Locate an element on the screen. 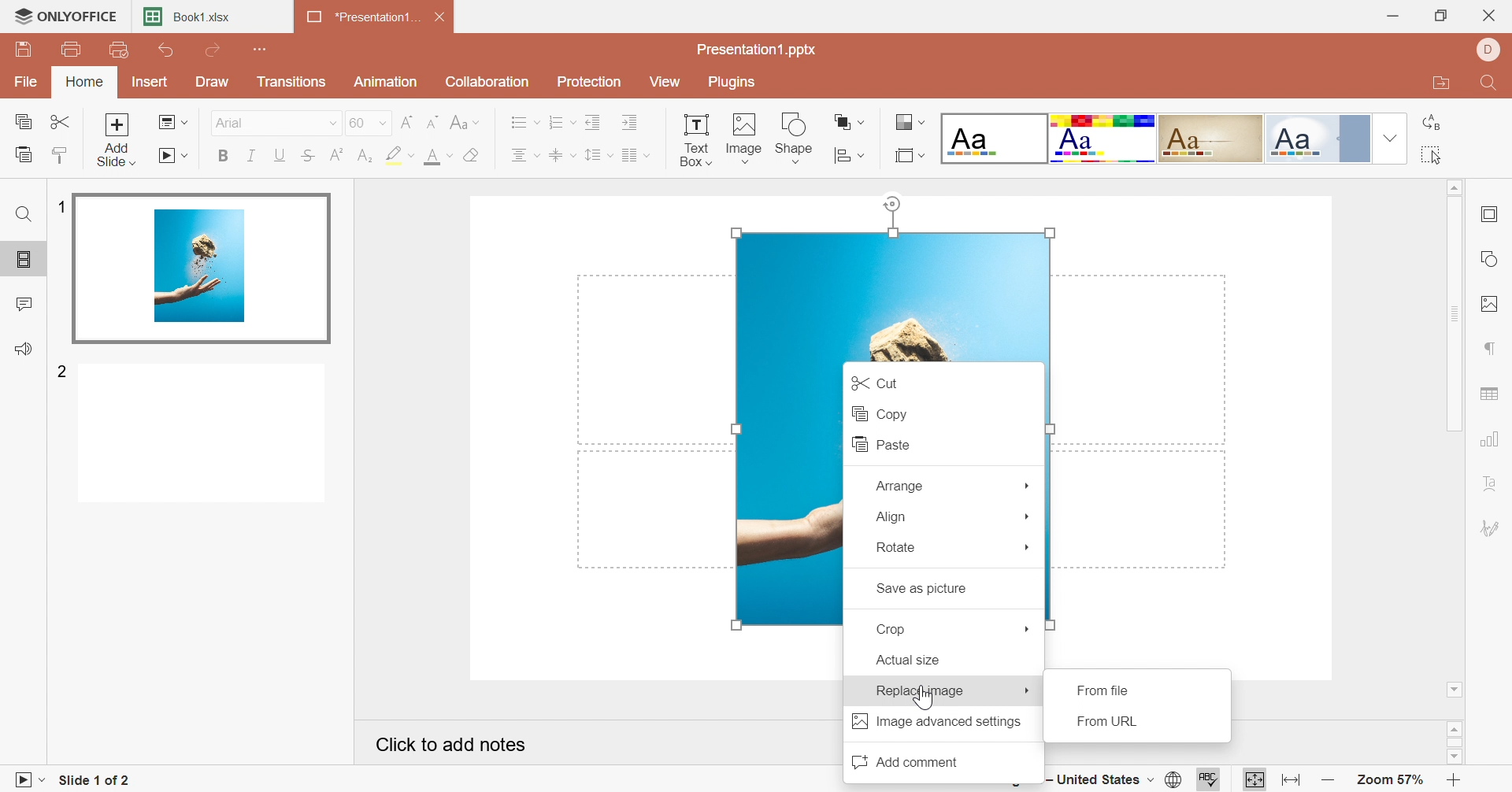  Presentation1.pptx is located at coordinates (759, 50).